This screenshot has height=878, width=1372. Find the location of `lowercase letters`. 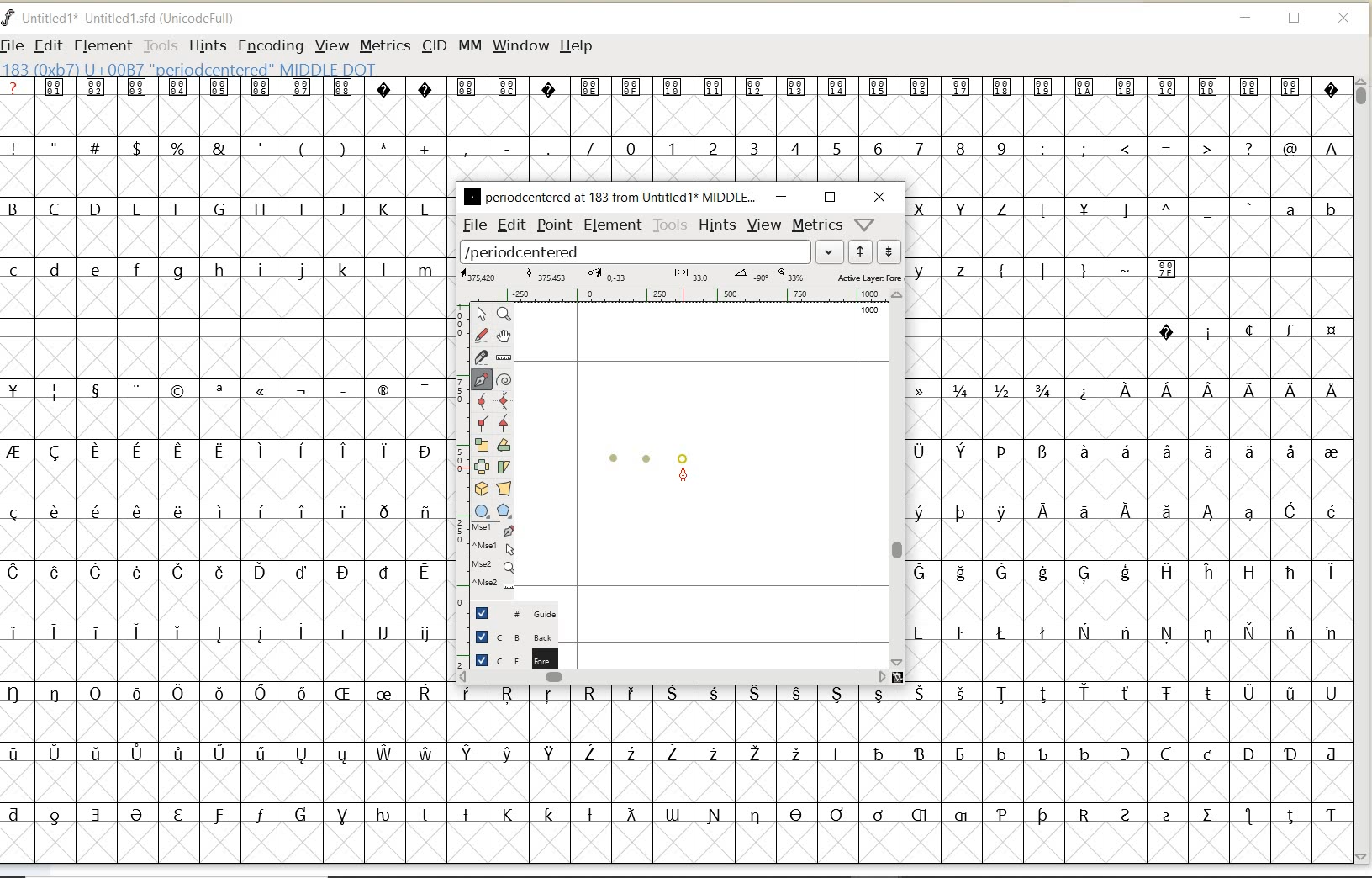

lowercase letters is located at coordinates (950, 269).